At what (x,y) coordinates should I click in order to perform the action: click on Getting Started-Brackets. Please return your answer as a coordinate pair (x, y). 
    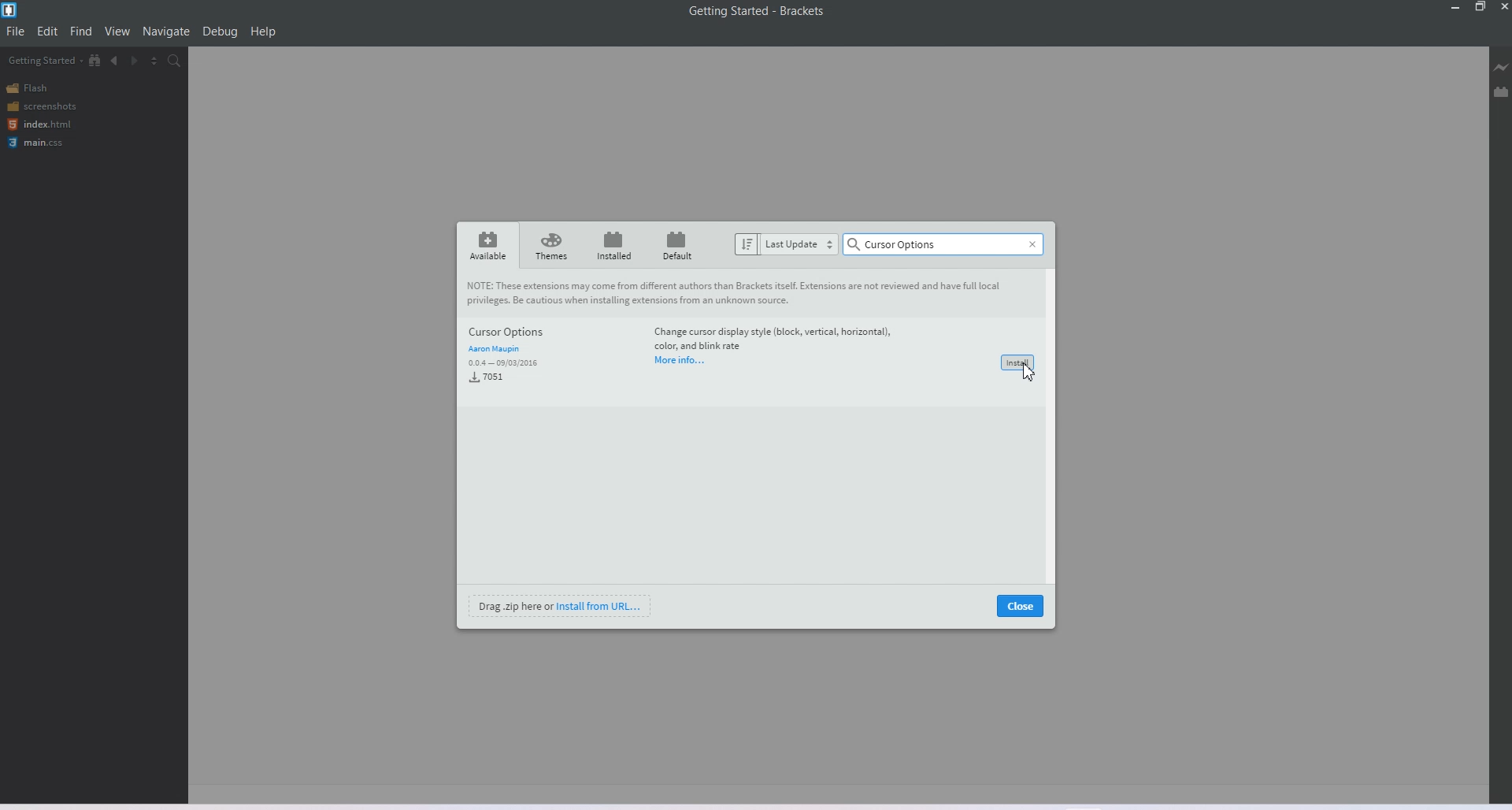
    Looking at the image, I should click on (757, 12).